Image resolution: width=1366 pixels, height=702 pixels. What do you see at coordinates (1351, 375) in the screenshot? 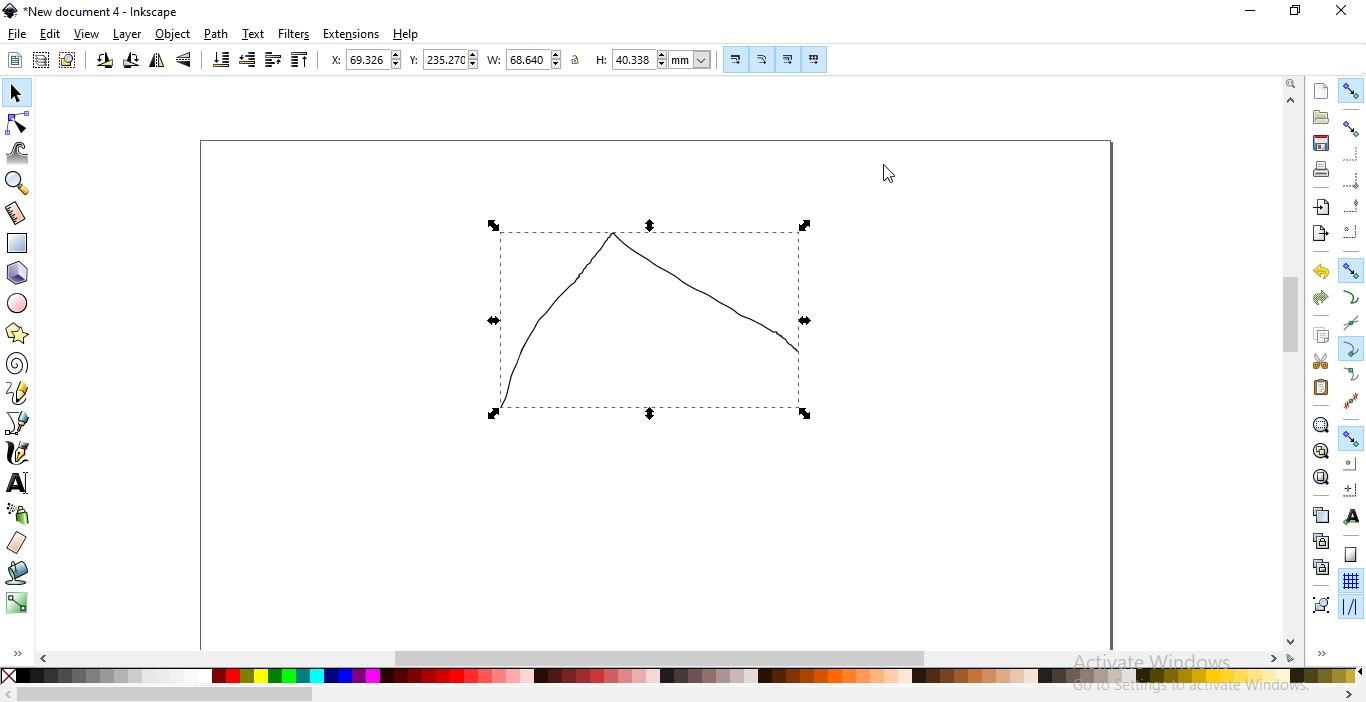
I see `snap smooth nodes` at bounding box center [1351, 375].